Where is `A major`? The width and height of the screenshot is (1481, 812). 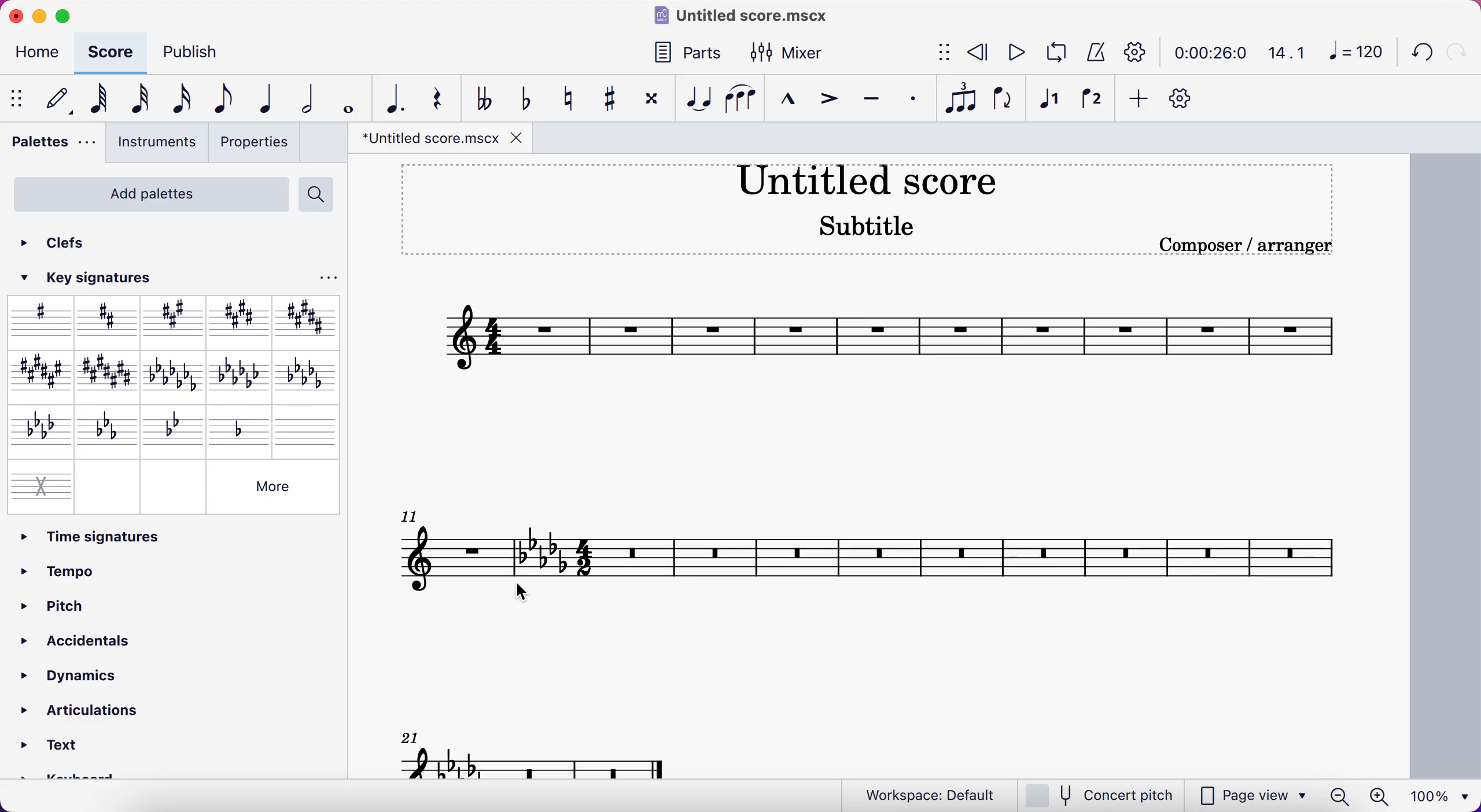
A major is located at coordinates (174, 321).